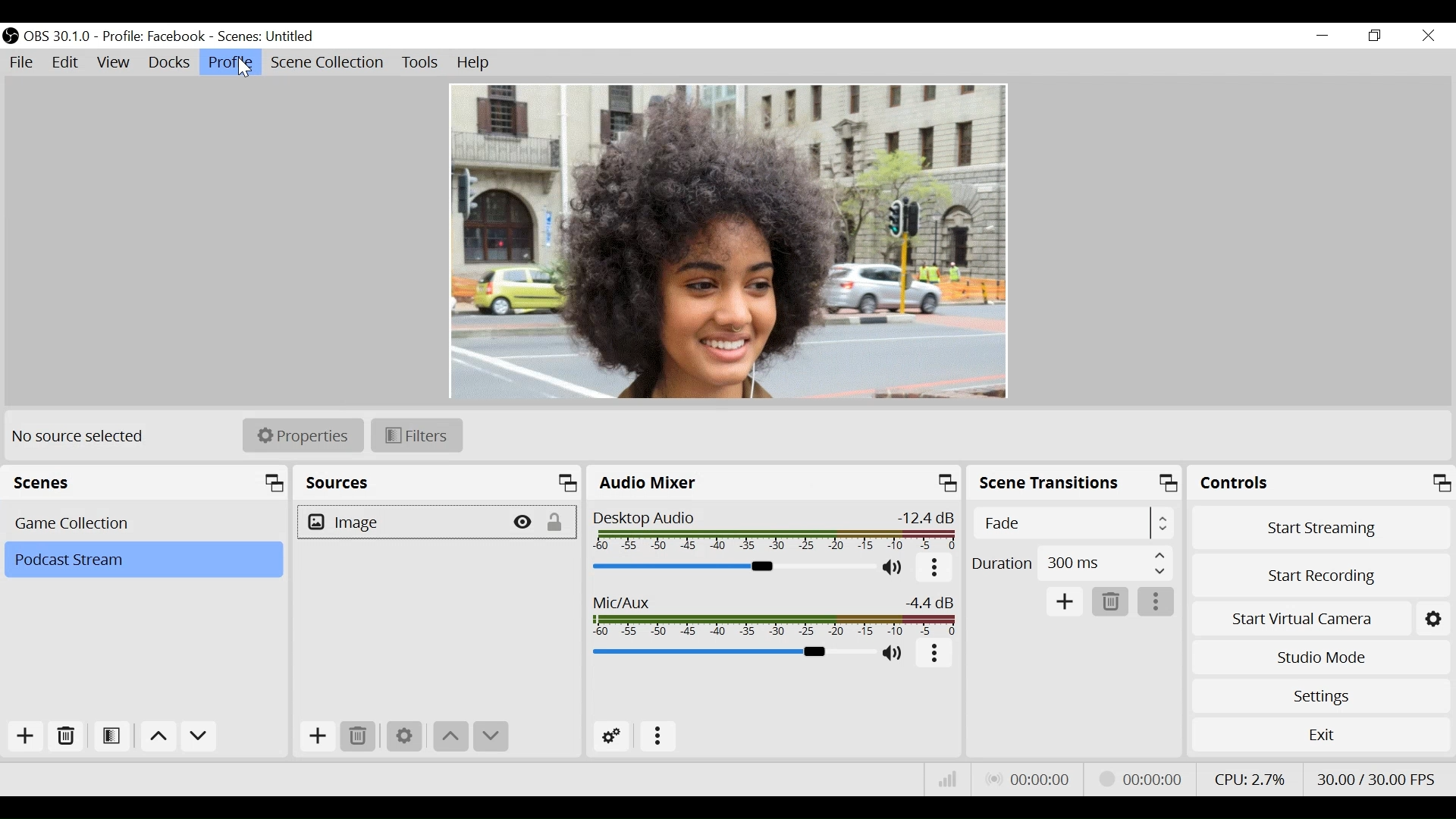  Describe the element at coordinates (948, 779) in the screenshot. I see `Bitrate` at that location.